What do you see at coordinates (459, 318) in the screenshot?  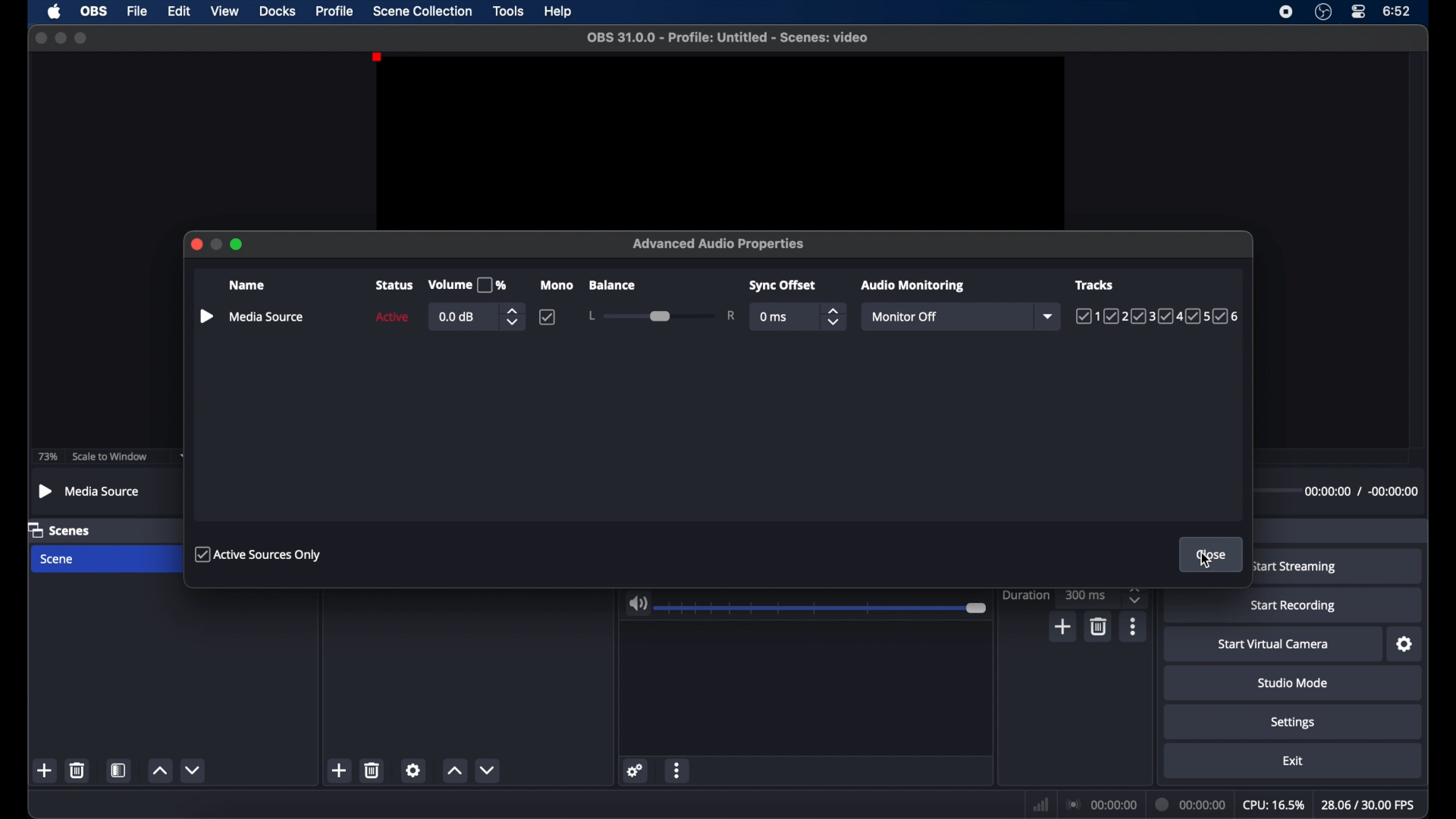 I see `0.0 db` at bounding box center [459, 318].